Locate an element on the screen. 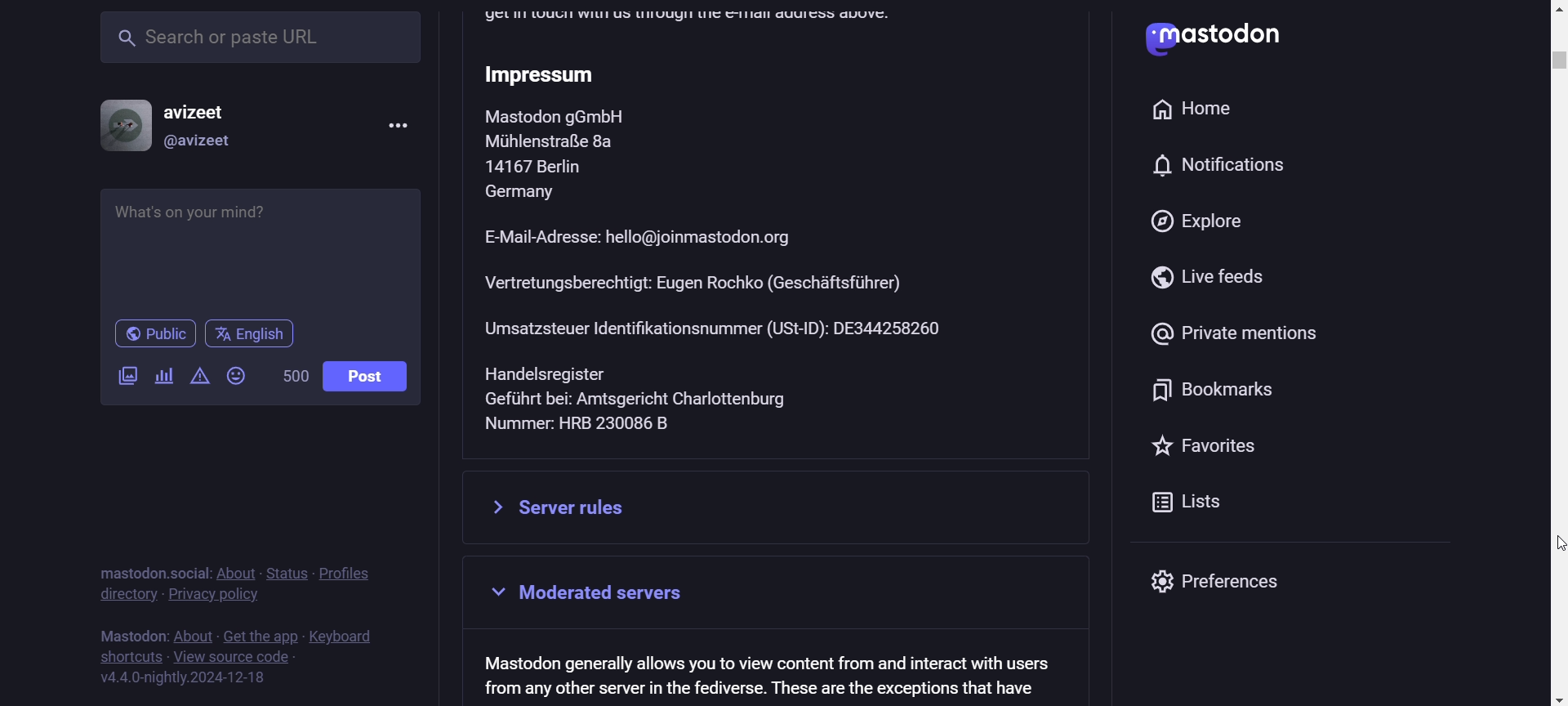  text is located at coordinates (768, 674).